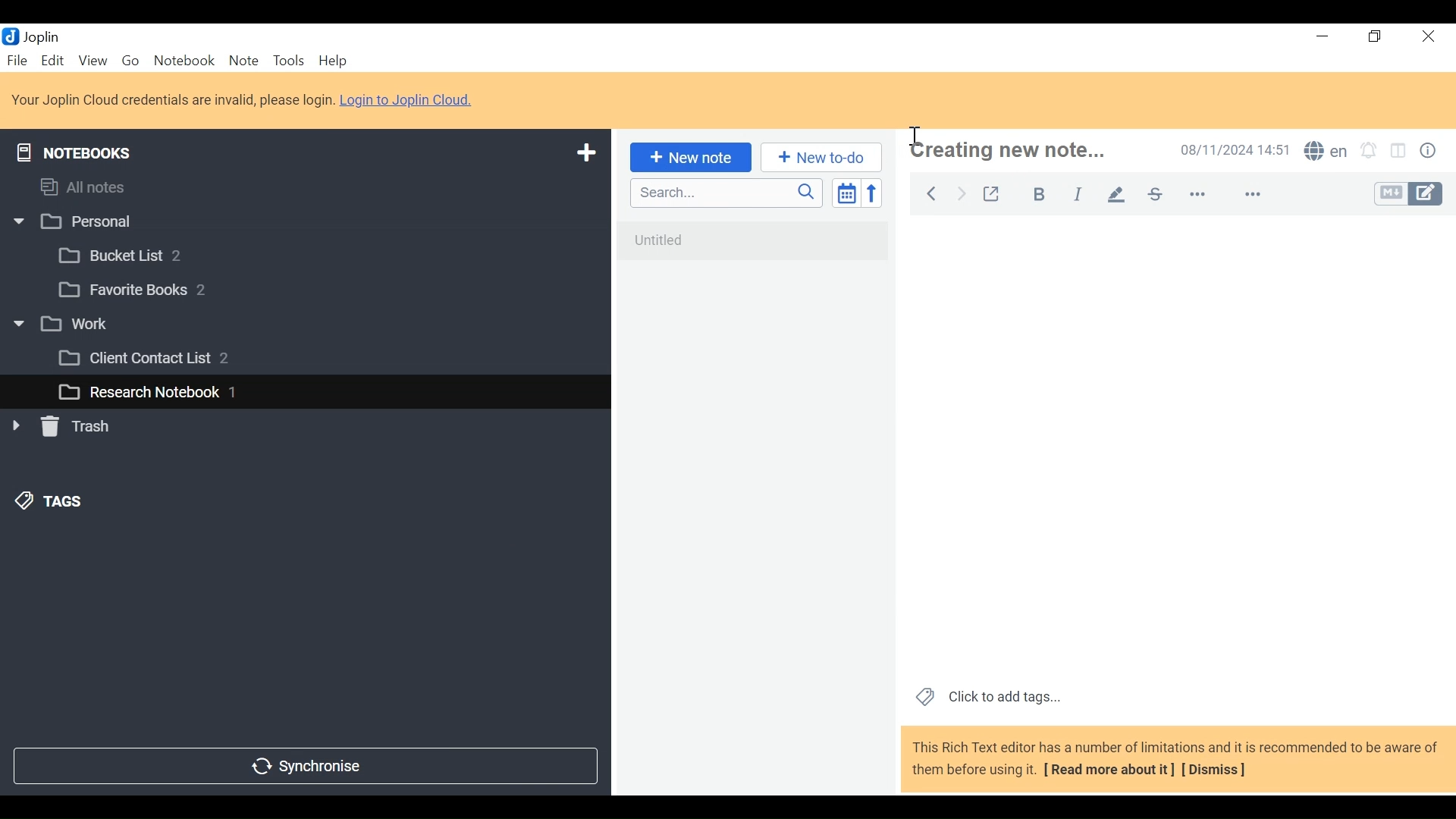 The height and width of the screenshot is (819, 1456). I want to click on New note, so click(688, 156).